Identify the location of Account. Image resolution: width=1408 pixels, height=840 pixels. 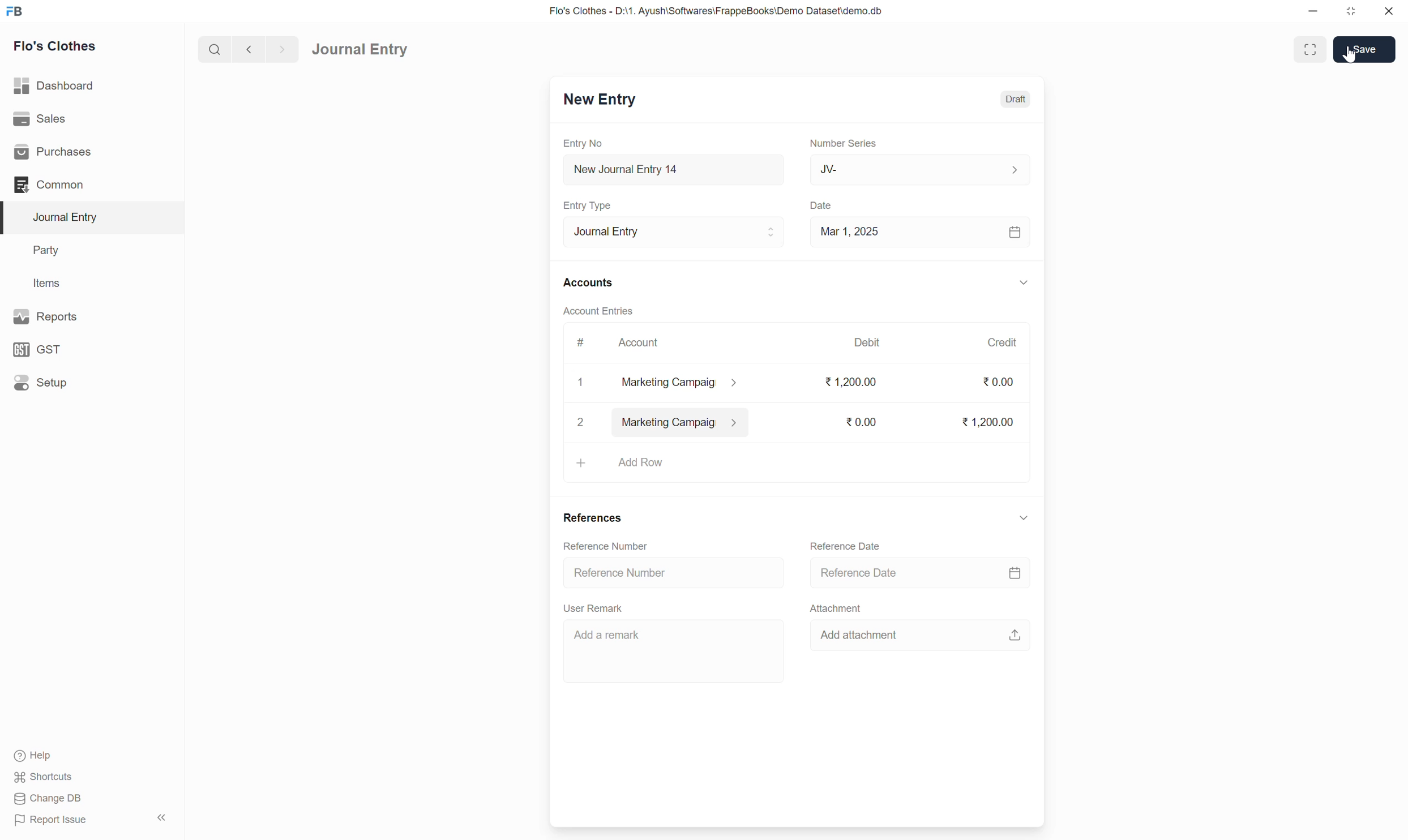
(640, 342).